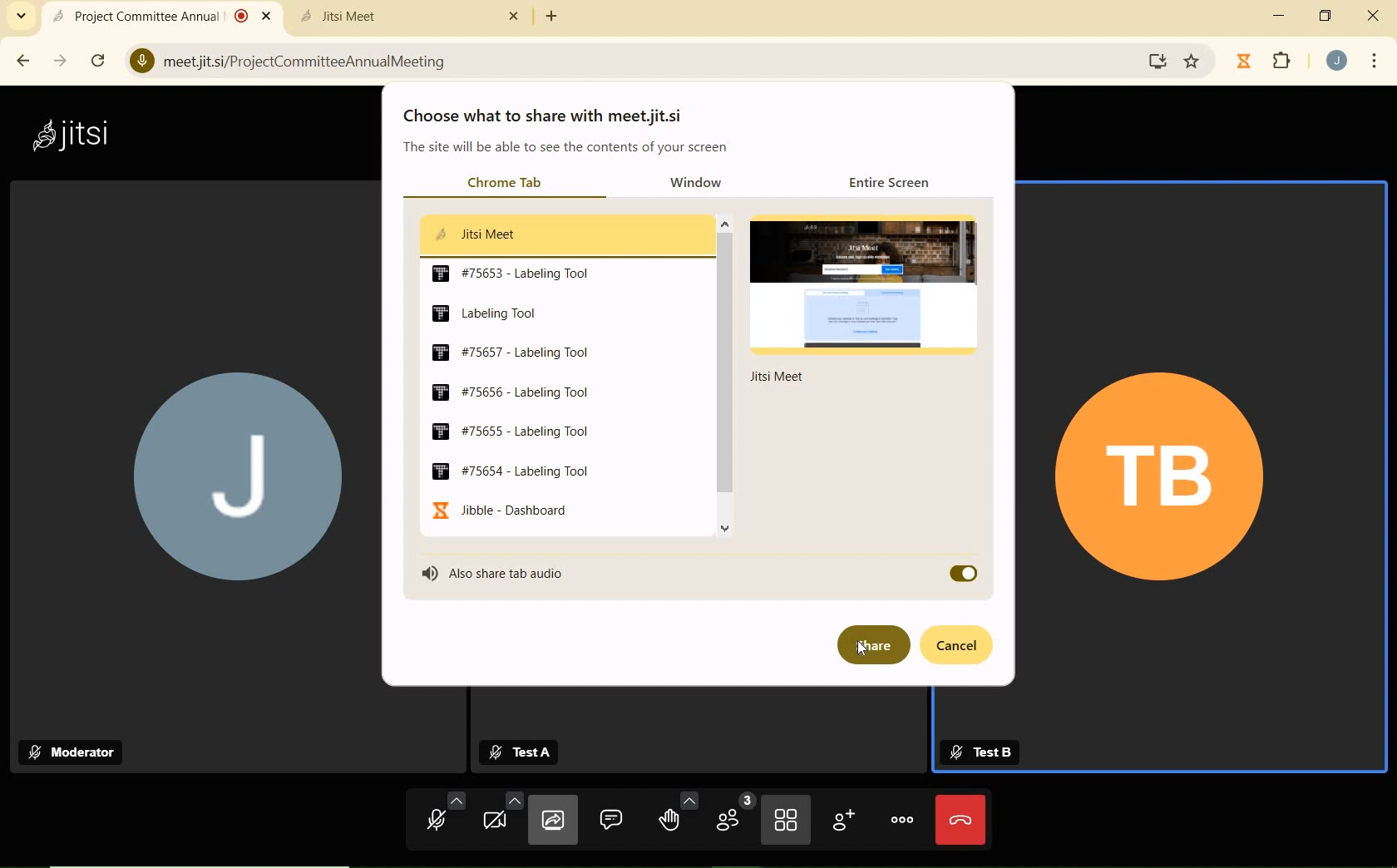  Describe the element at coordinates (503, 182) in the screenshot. I see `chrome tab` at that location.